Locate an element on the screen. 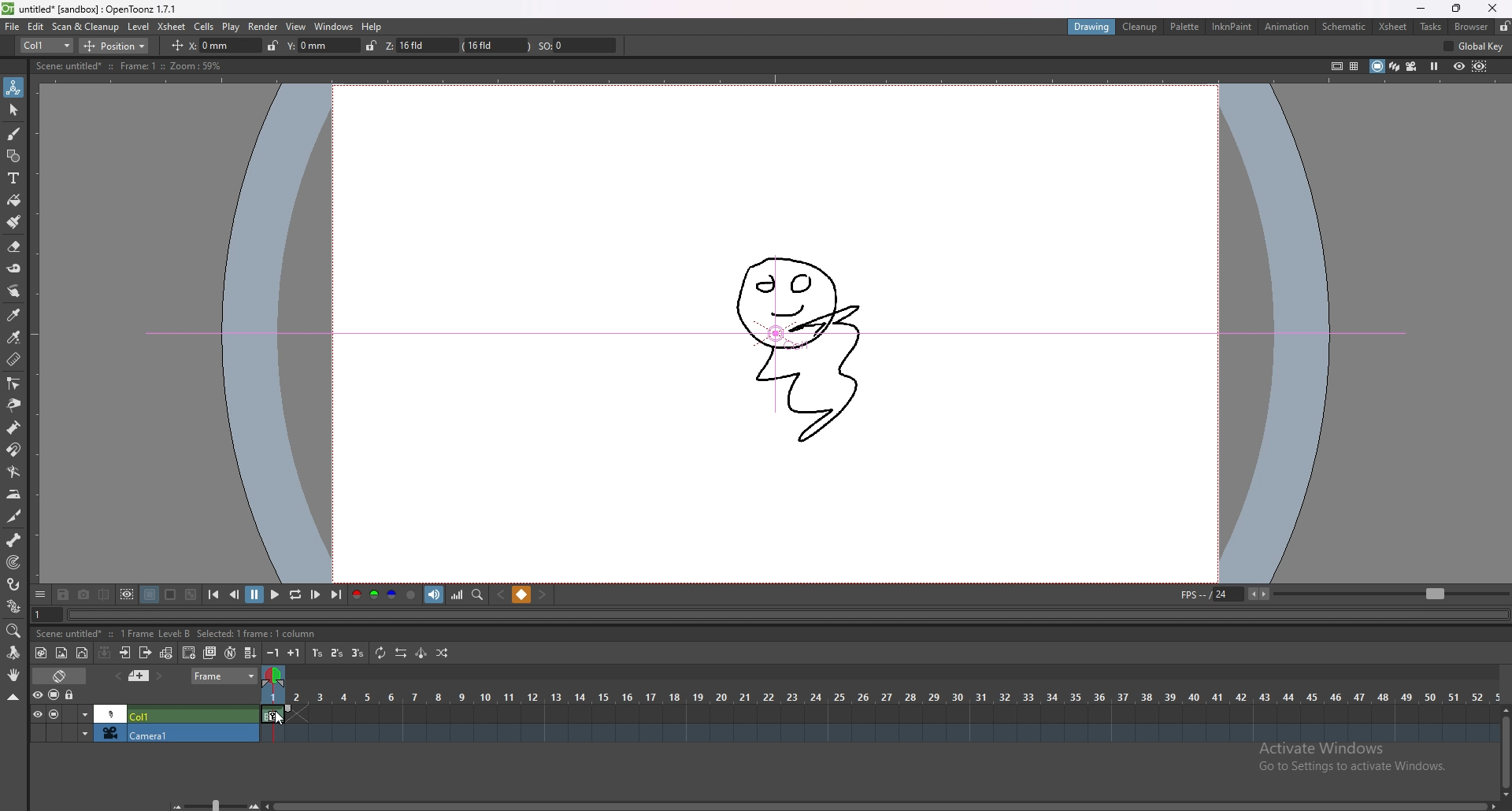  brush is located at coordinates (14, 135).